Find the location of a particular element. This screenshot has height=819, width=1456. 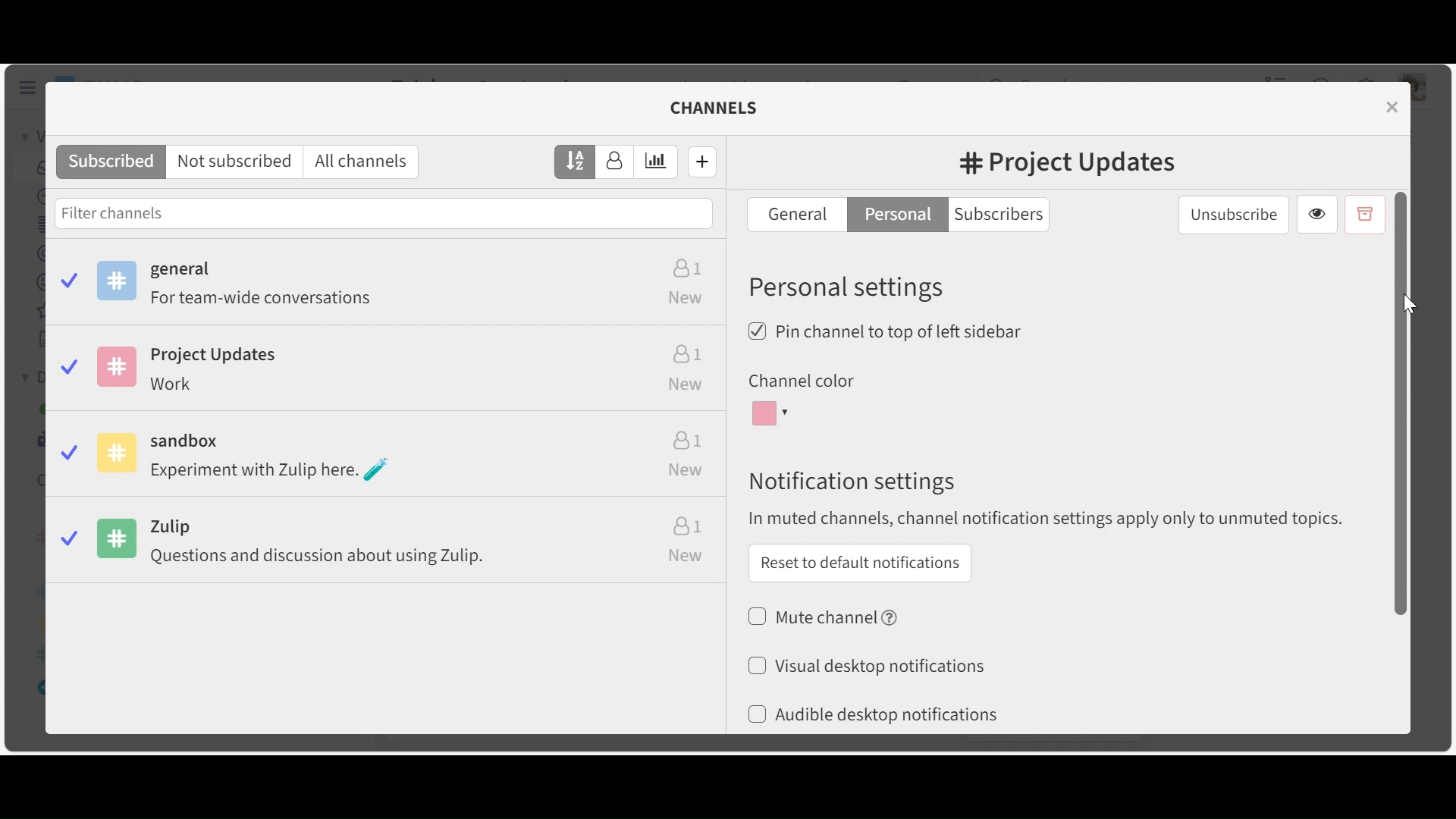

Project Updates is located at coordinates (386, 372).